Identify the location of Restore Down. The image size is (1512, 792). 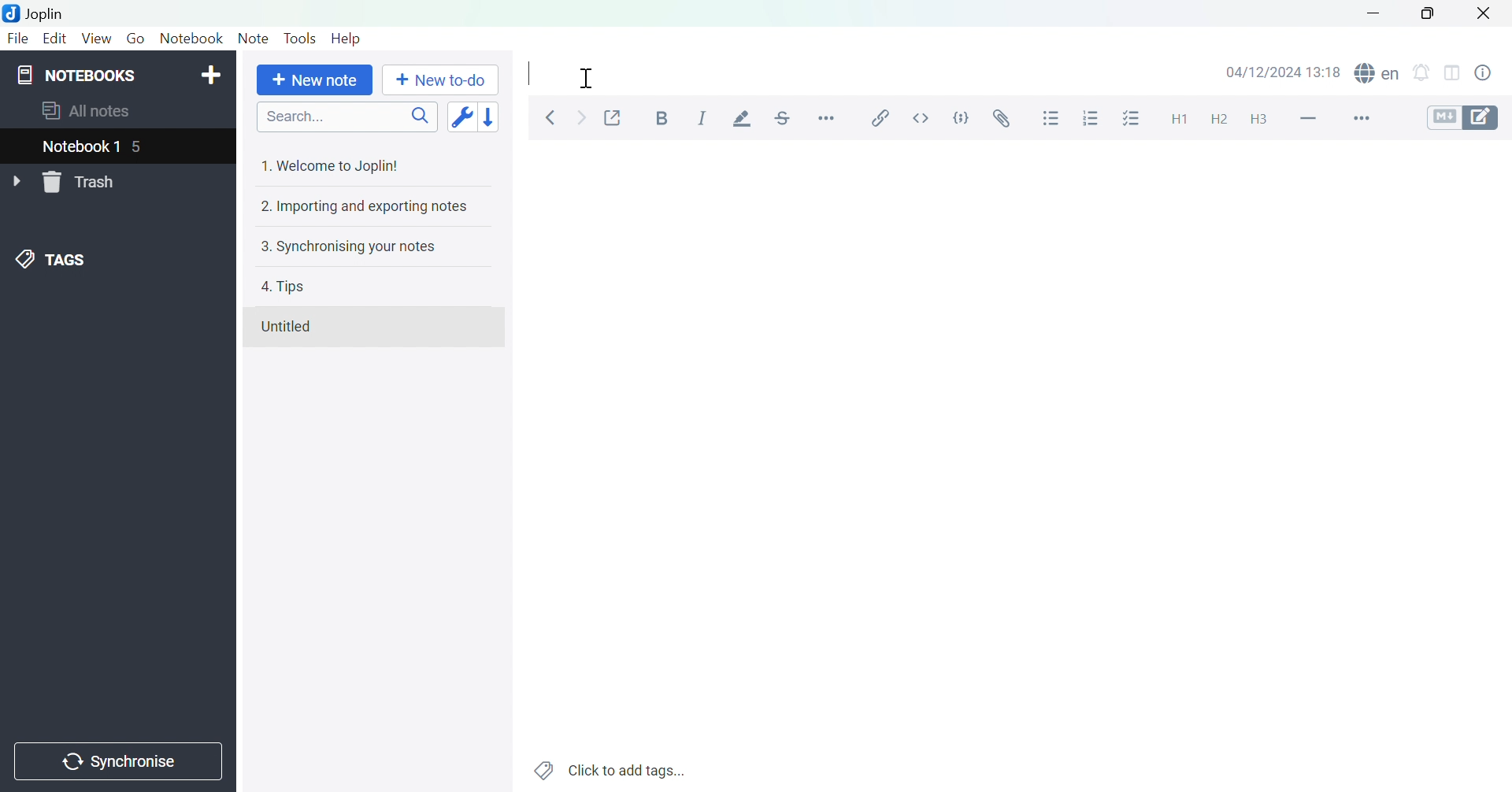
(1429, 17).